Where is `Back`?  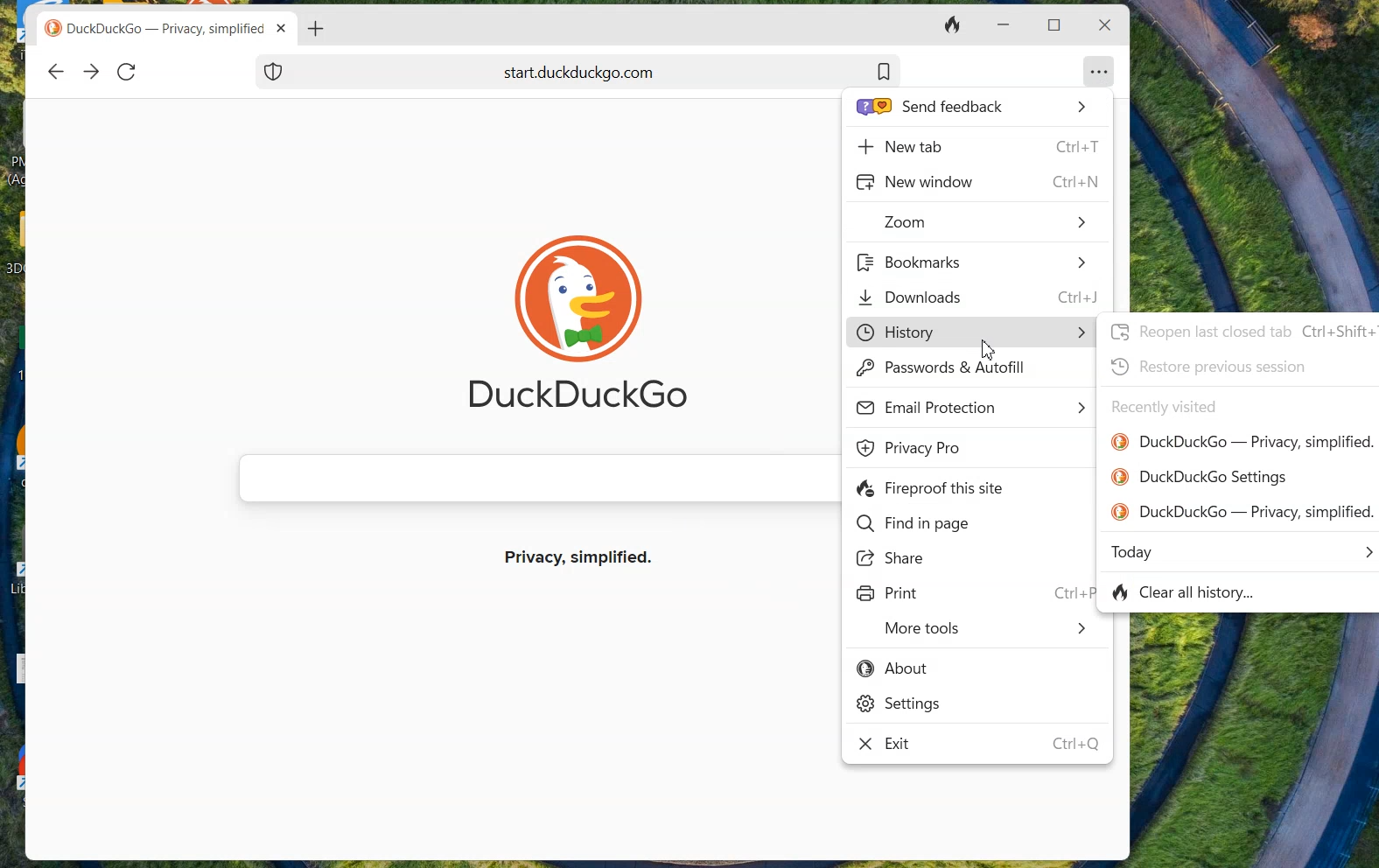 Back is located at coordinates (55, 72).